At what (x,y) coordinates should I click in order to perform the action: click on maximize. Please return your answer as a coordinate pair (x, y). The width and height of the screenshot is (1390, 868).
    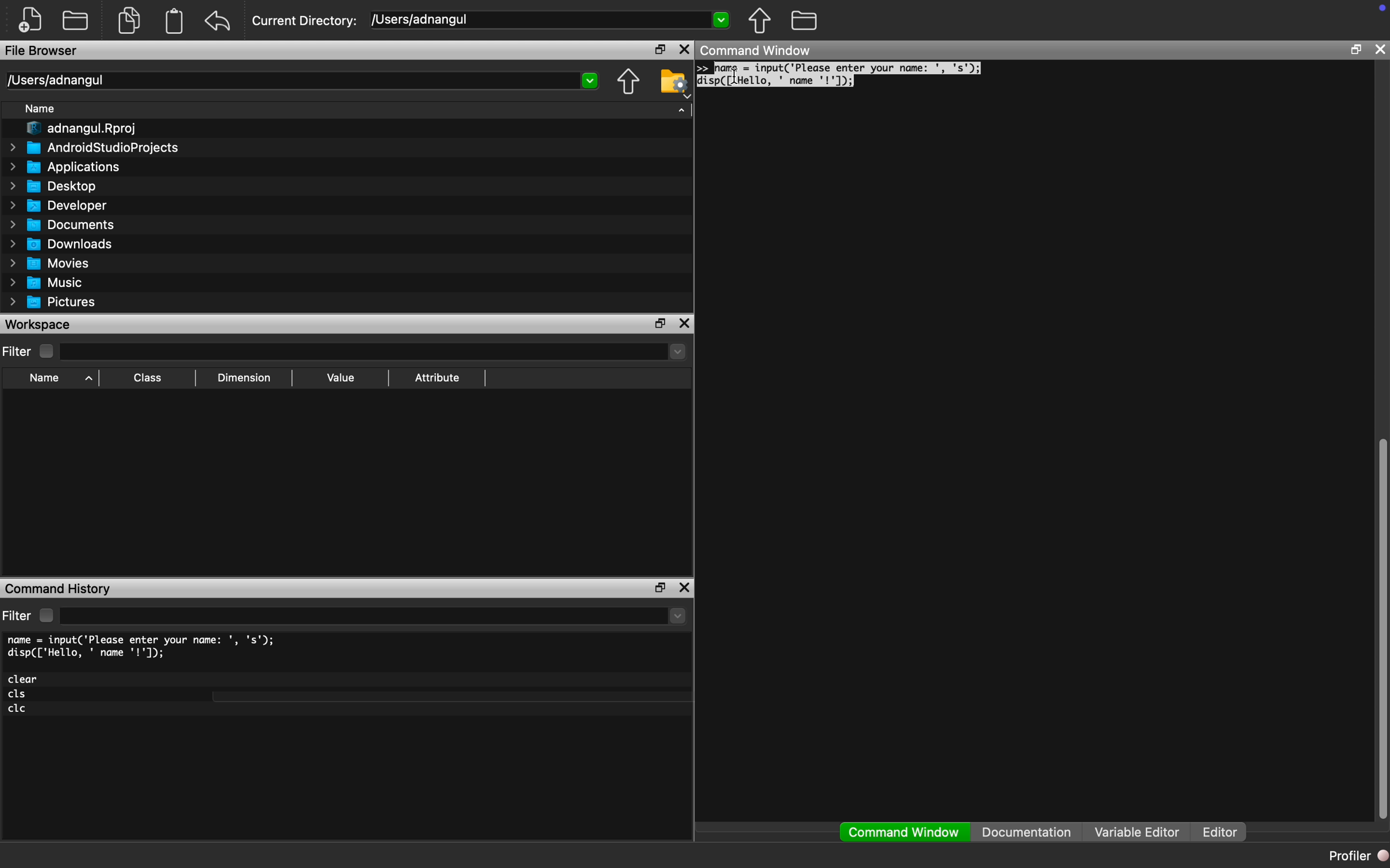
    Looking at the image, I should click on (1356, 49).